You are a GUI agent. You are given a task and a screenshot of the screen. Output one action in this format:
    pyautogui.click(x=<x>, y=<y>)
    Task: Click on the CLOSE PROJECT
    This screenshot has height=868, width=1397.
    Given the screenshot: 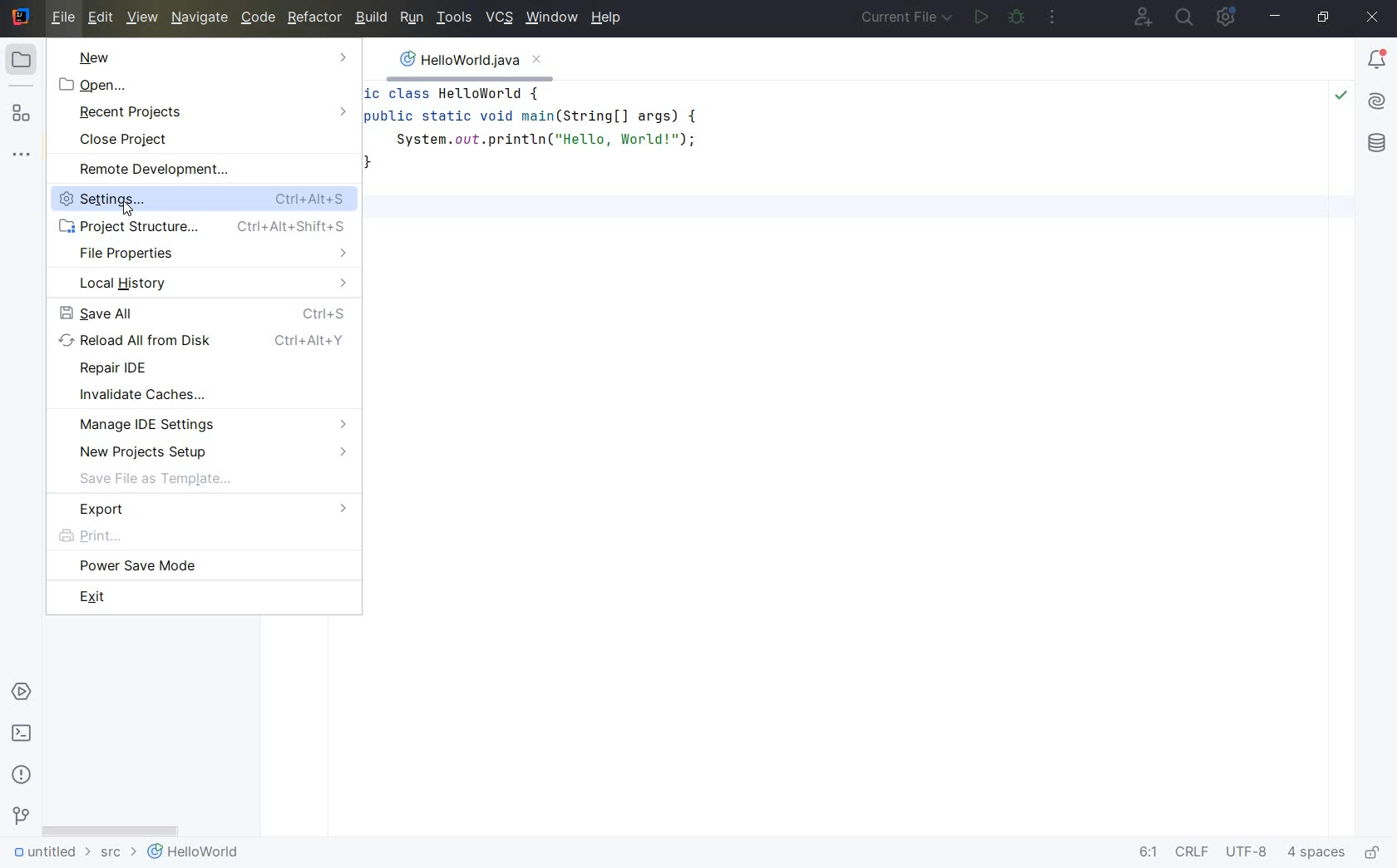 What is the action you would take?
    pyautogui.click(x=214, y=141)
    